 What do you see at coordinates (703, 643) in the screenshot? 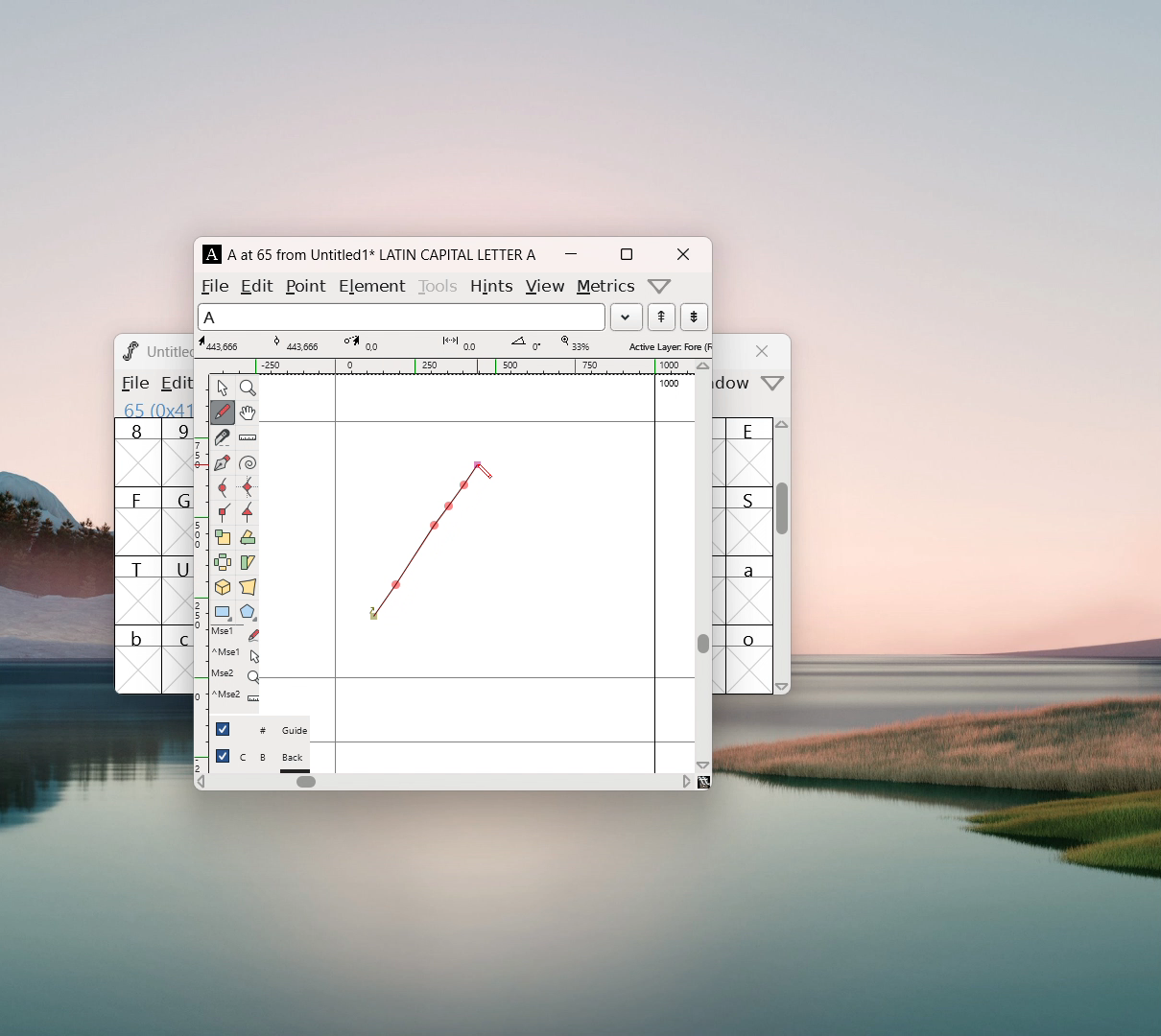
I see `scrollbar` at bounding box center [703, 643].